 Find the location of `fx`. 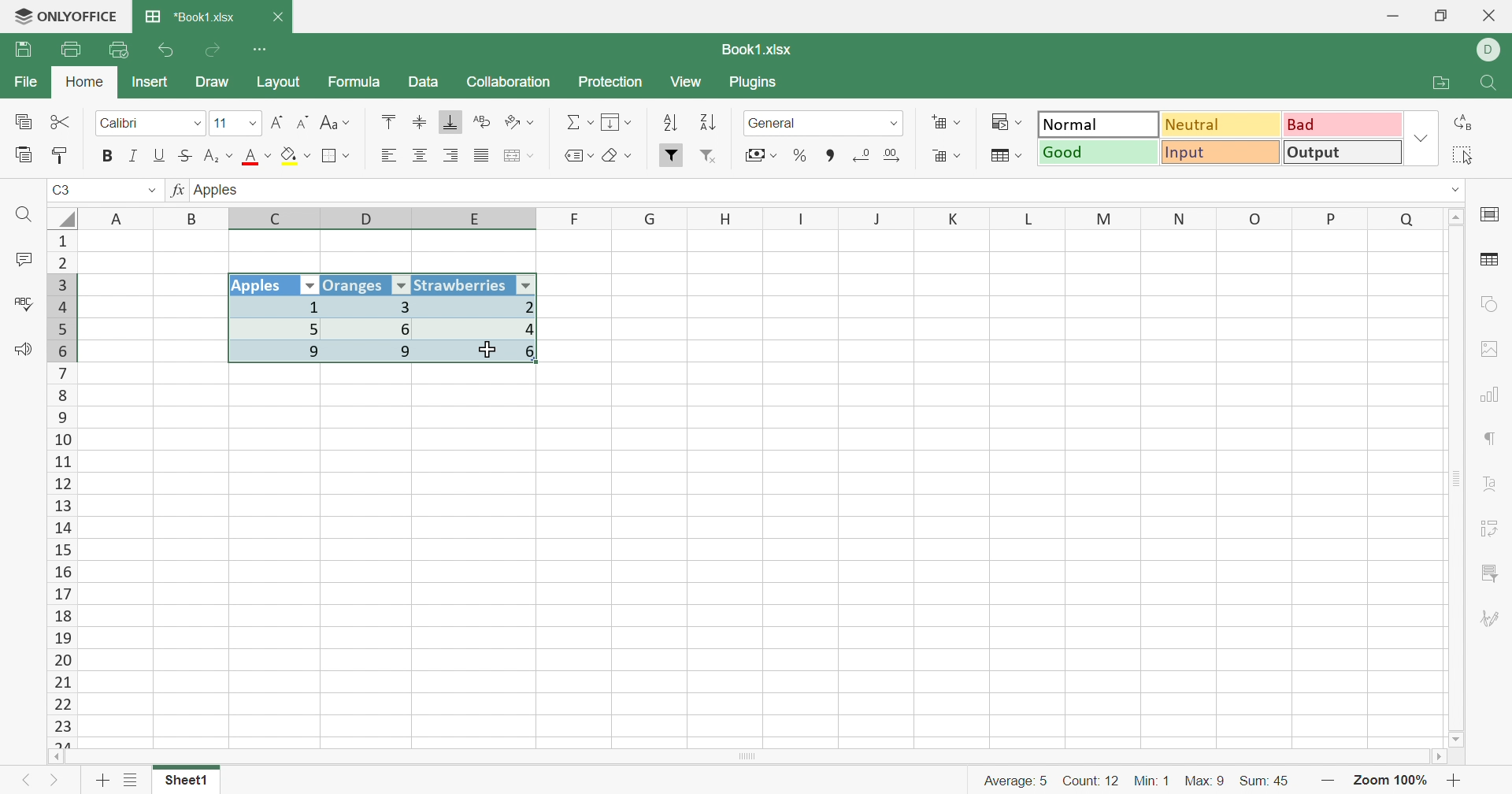

fx is located at coordinates (176, 191).